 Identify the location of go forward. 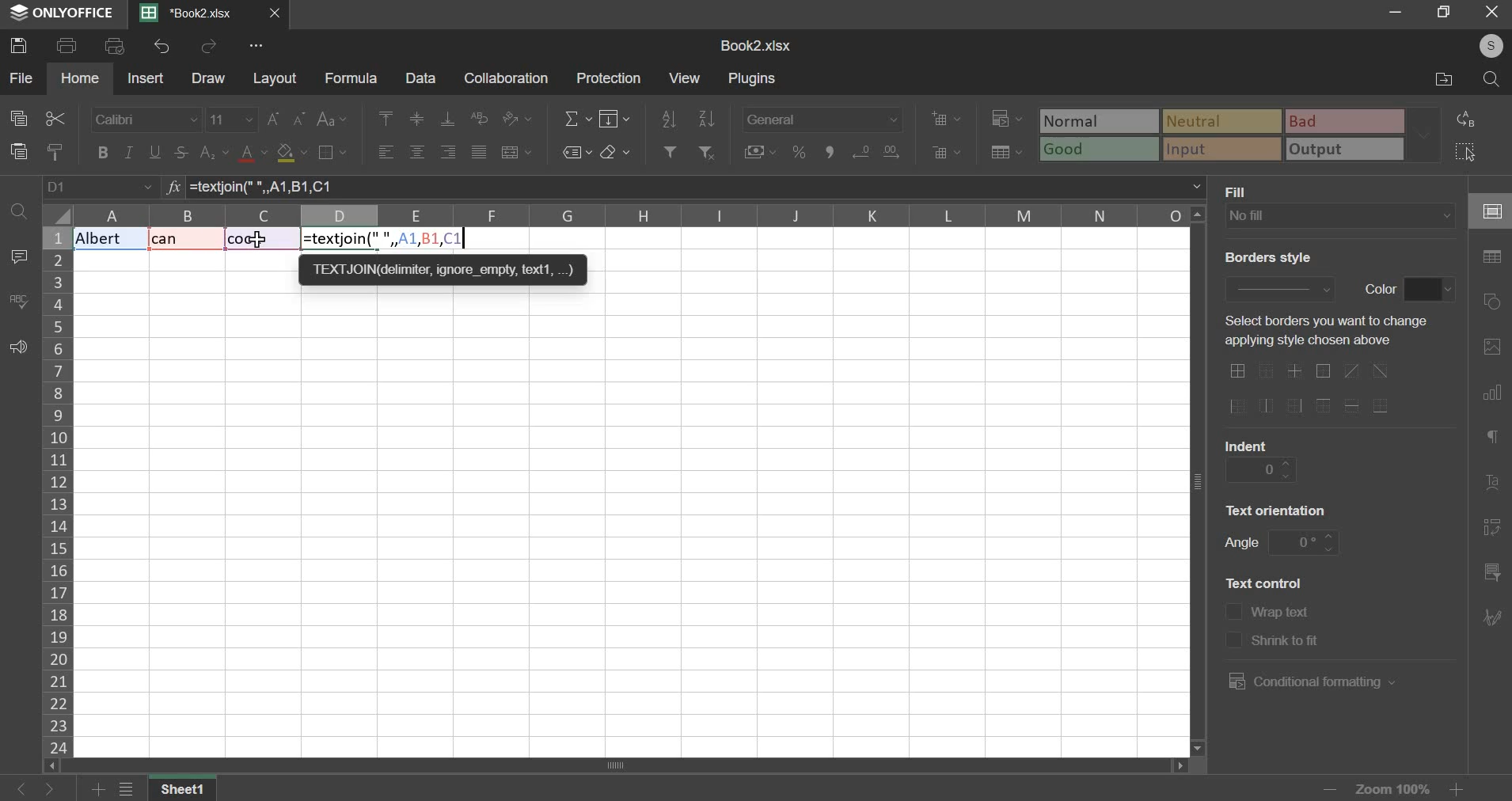
(61, 789).